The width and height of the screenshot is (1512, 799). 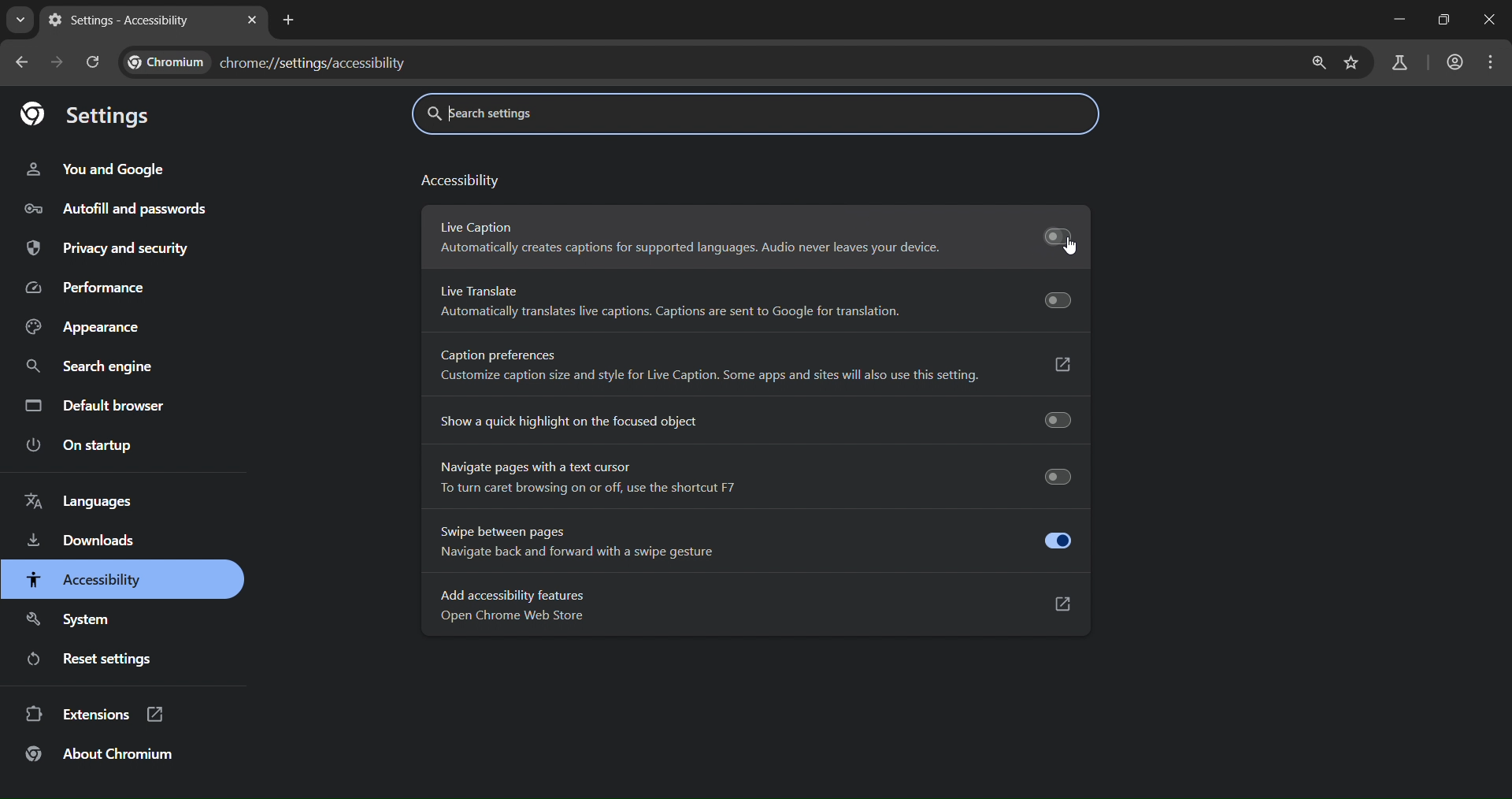 What do you see at coordinates (756, 477) in the screenshot?
I see `Navigate pages with a text cursor
To turn caret browsing on or off, use the shortcut F7` at bounding box center [756, 477].